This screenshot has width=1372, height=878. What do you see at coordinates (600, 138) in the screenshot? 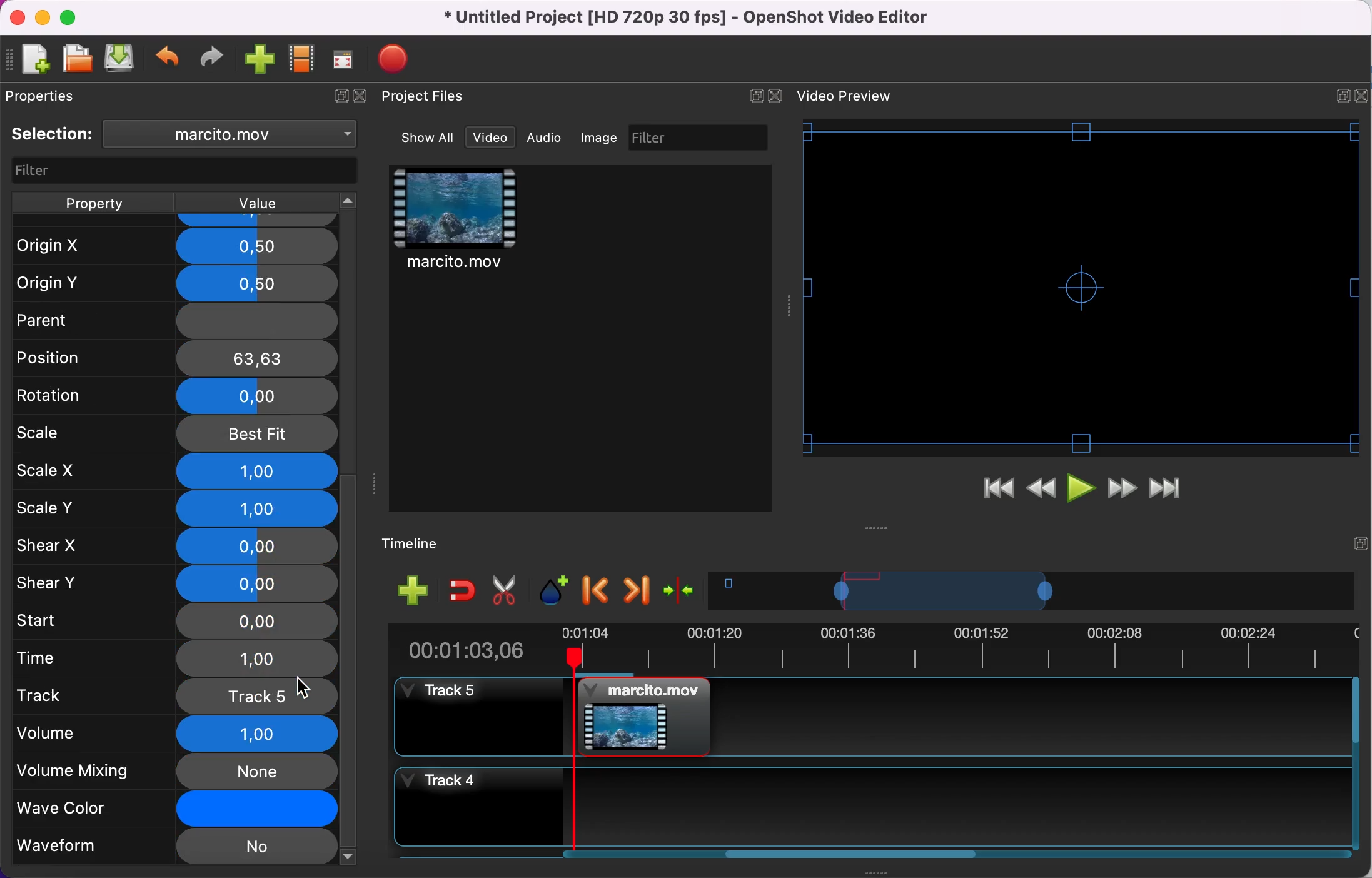
I see `image` at bounding box center [600, 138].